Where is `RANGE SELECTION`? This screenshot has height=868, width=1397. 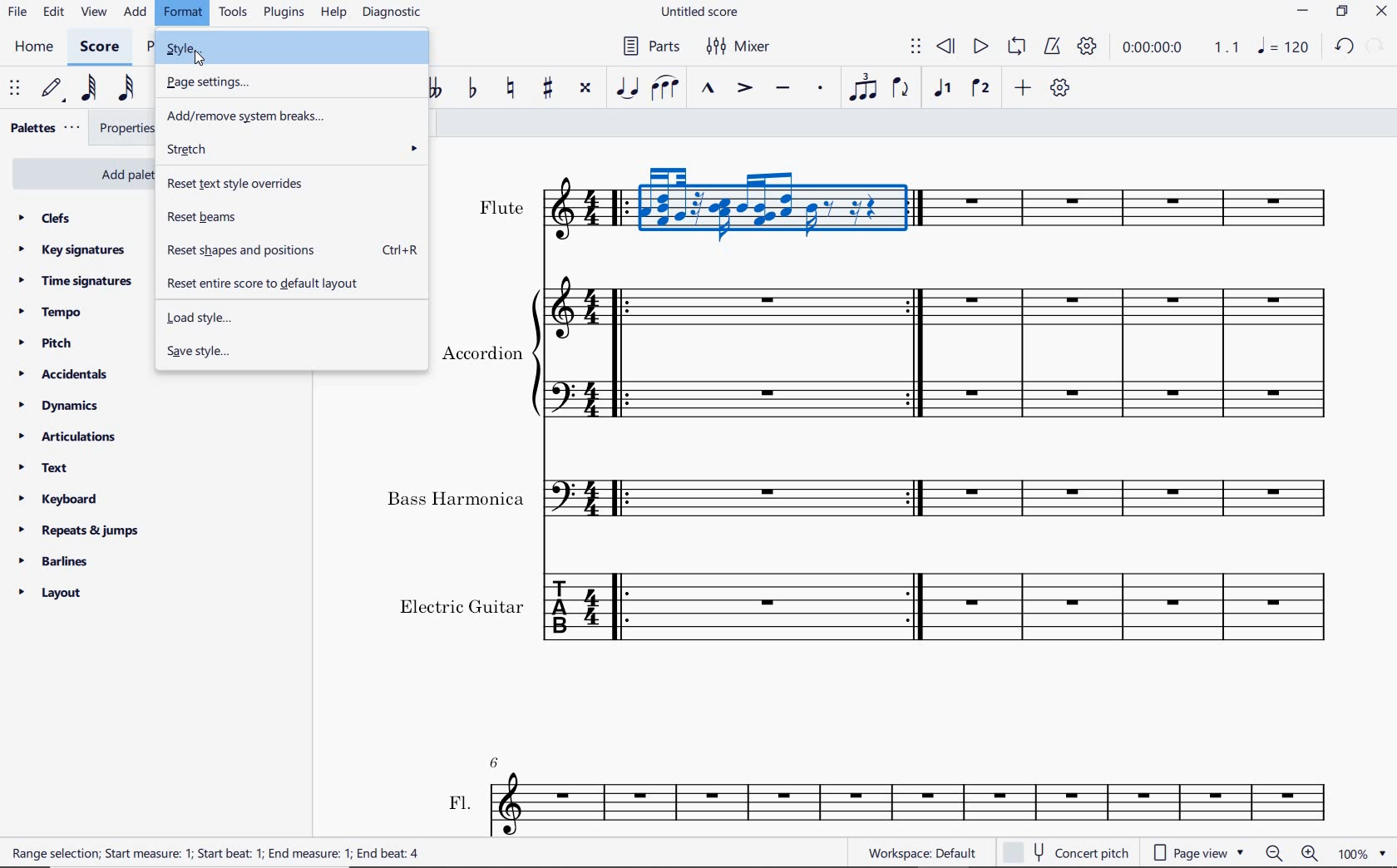 RANGE SELECTION is located at coordinates (229, 855).